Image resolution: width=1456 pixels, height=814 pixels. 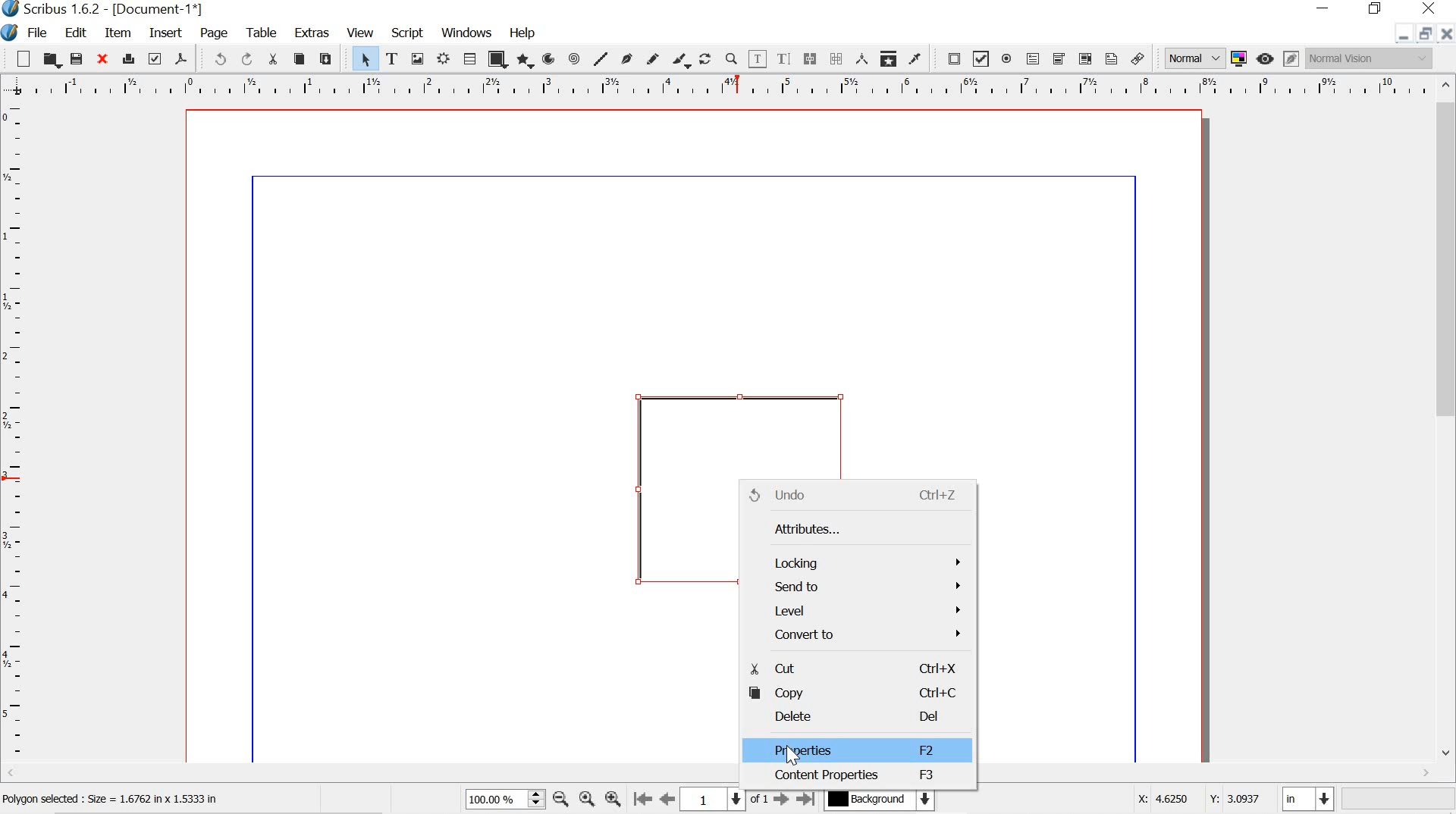 What do you see at coordinates (854, 669) in the screenshot?
I see `cut` at bounding box center [854, 669].